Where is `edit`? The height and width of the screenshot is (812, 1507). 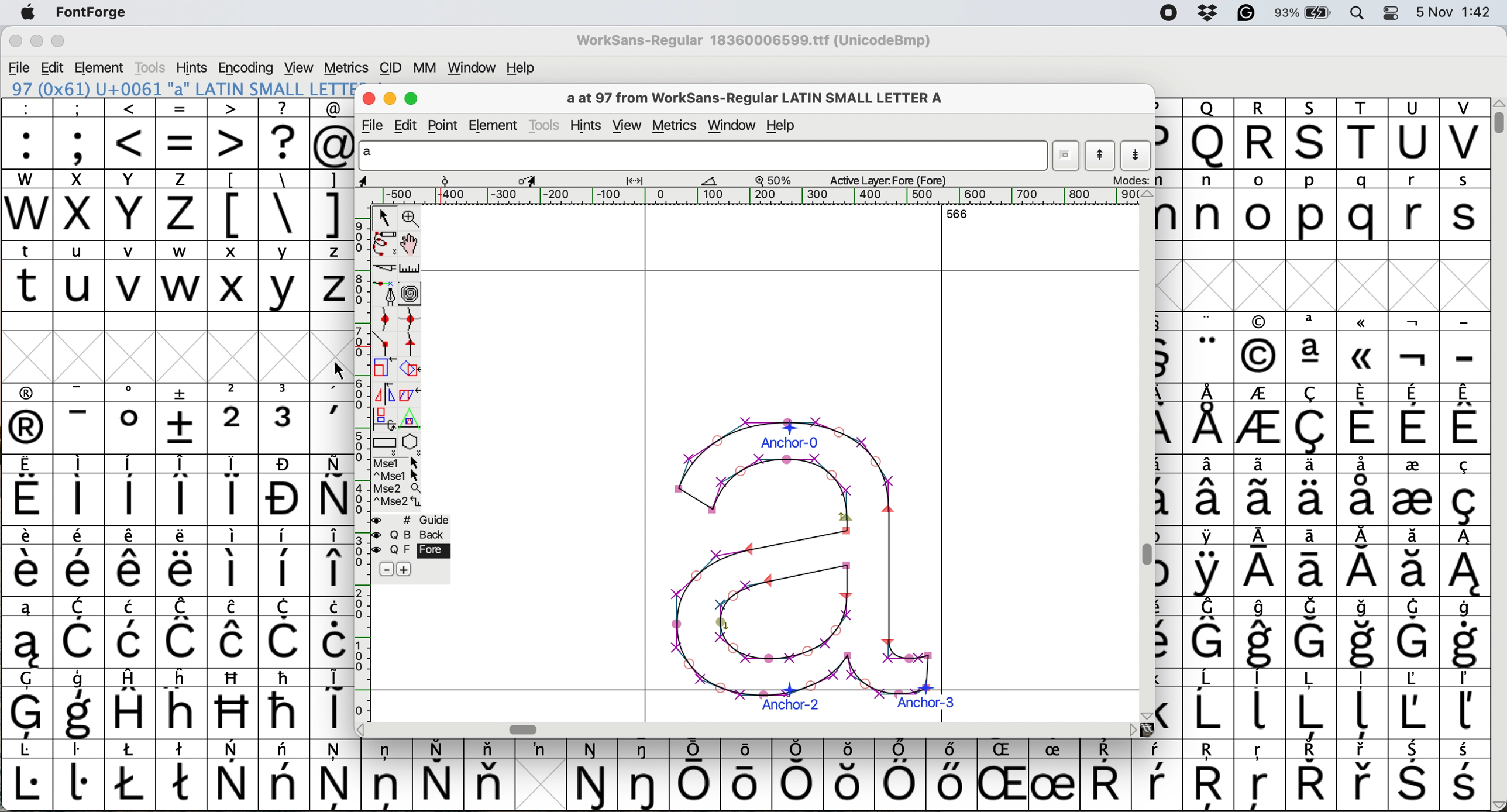 edit is located at coordinates (54, 68).